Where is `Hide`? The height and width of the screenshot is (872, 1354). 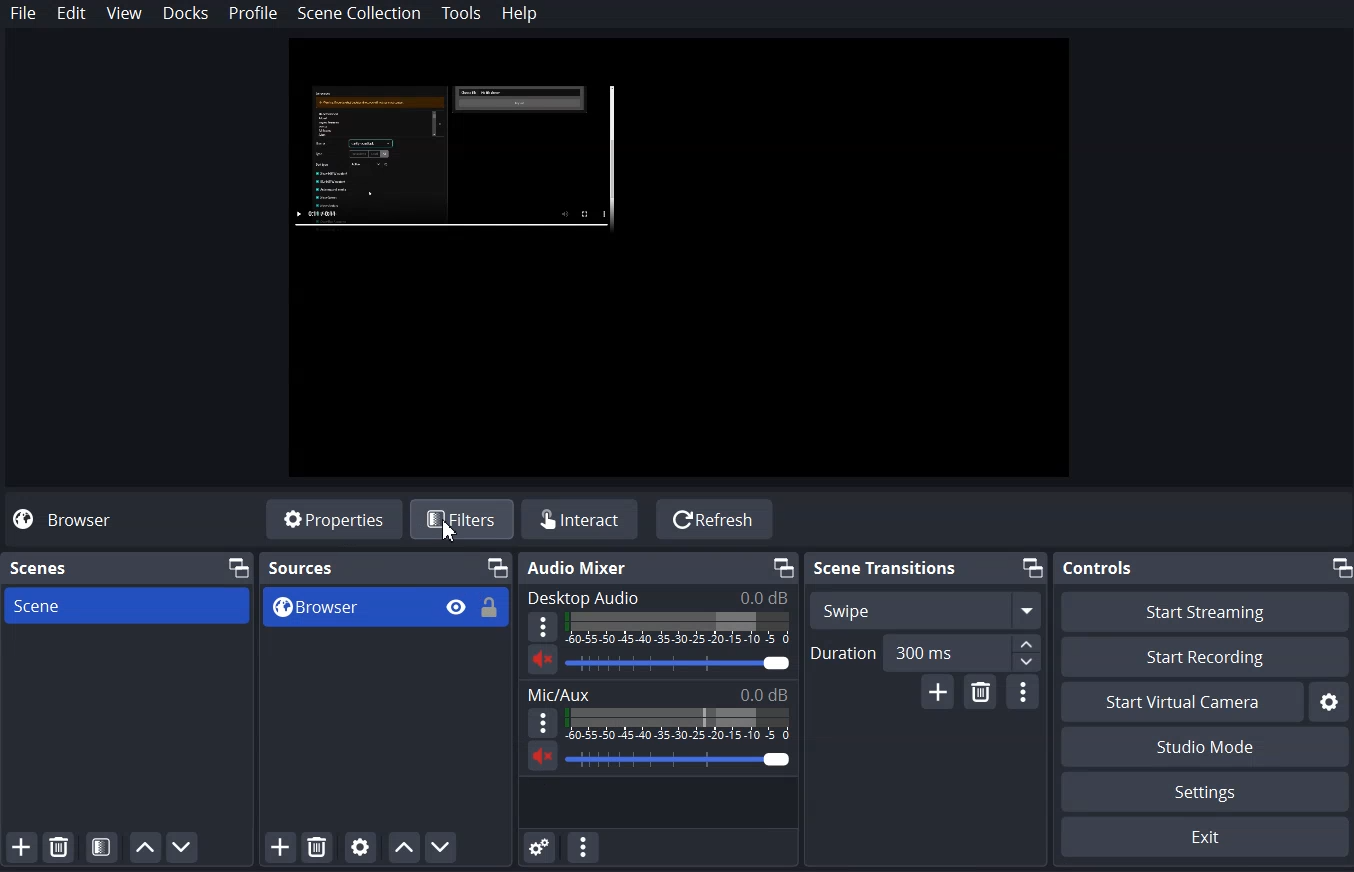 Hide is located at coordinates (456, 606).